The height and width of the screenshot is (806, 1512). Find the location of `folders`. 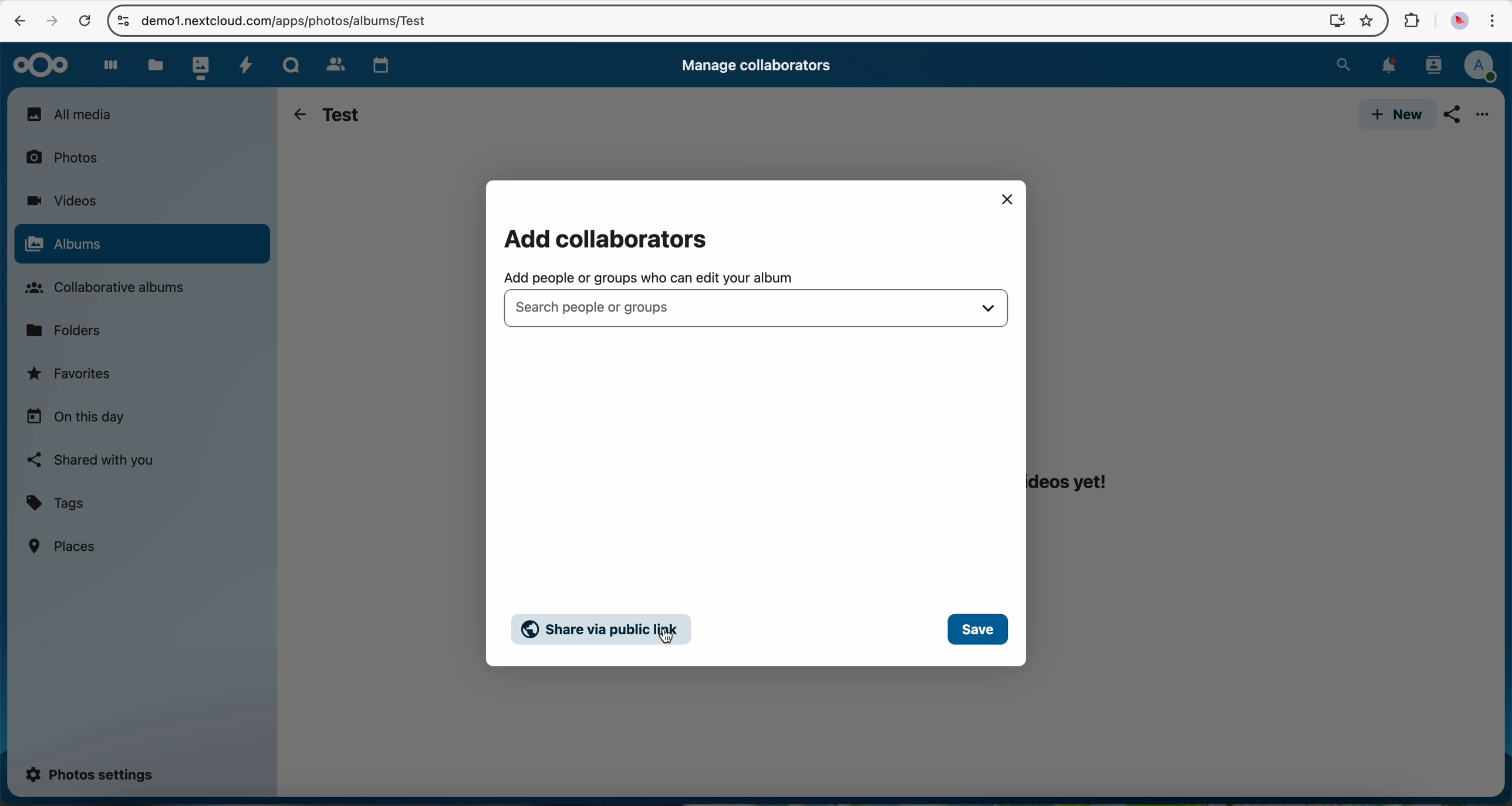

folders is located at coordinates (68, 329).